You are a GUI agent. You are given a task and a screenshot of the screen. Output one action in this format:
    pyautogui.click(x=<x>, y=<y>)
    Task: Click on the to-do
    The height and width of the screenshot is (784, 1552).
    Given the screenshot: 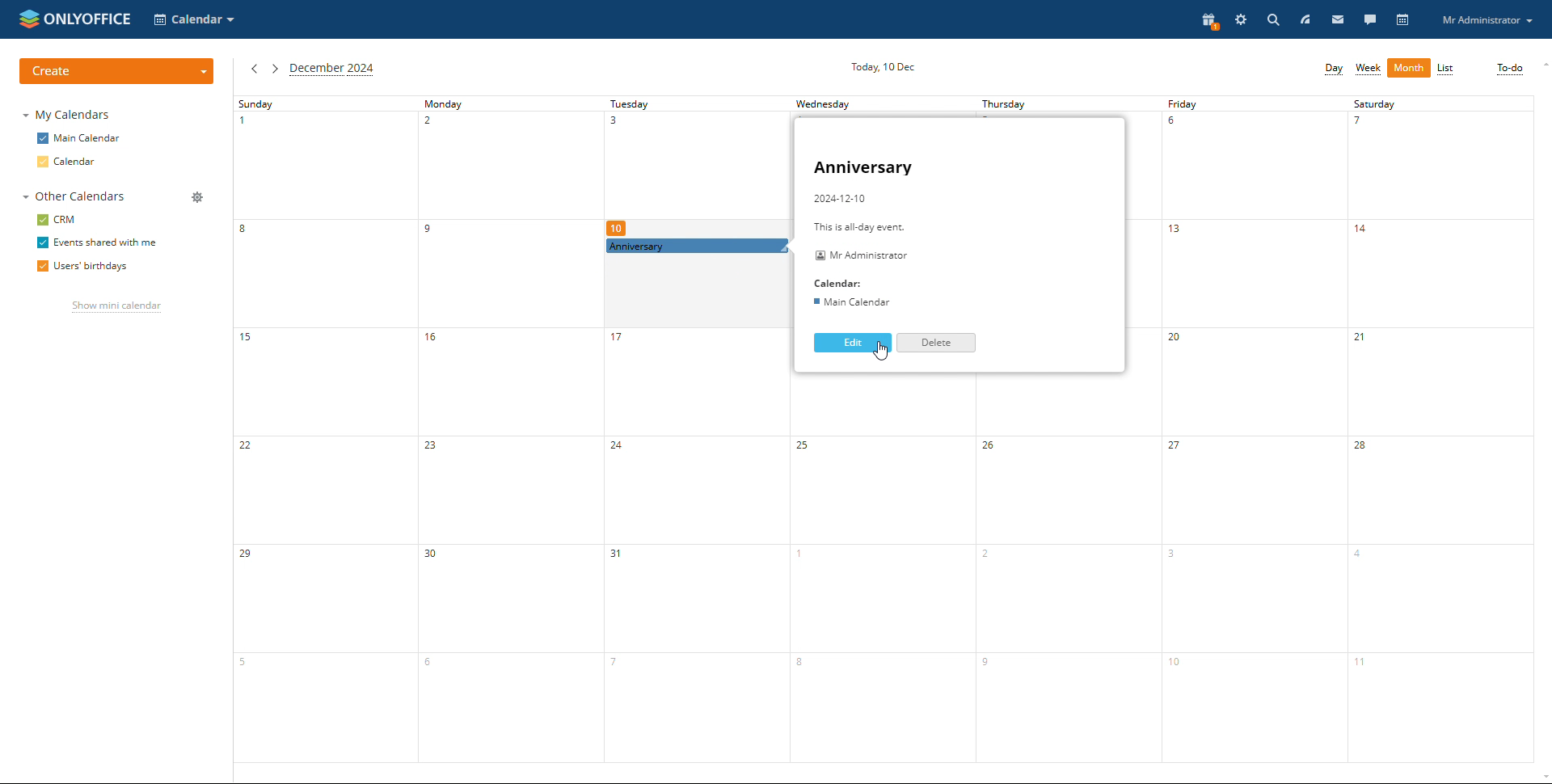 What is the action you would take?
    pyautogui.click(x=1509, y=69)
    